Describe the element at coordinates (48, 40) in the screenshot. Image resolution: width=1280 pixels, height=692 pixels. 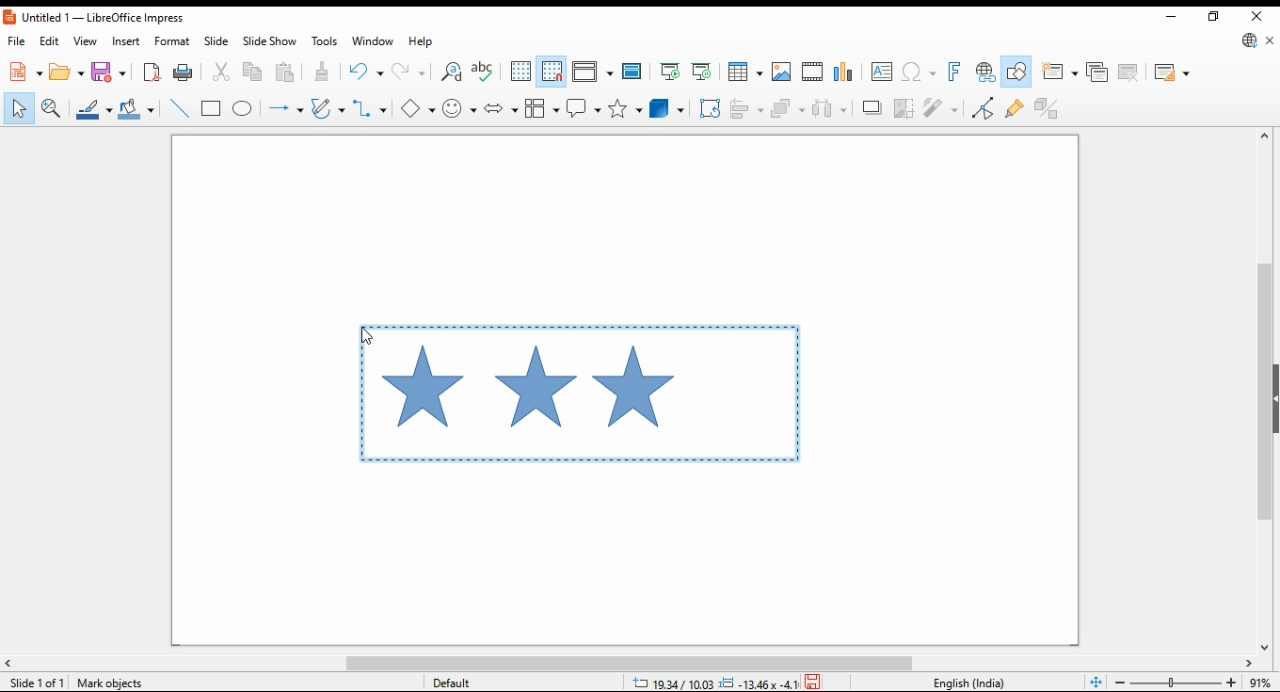
I see `edit` at that location.